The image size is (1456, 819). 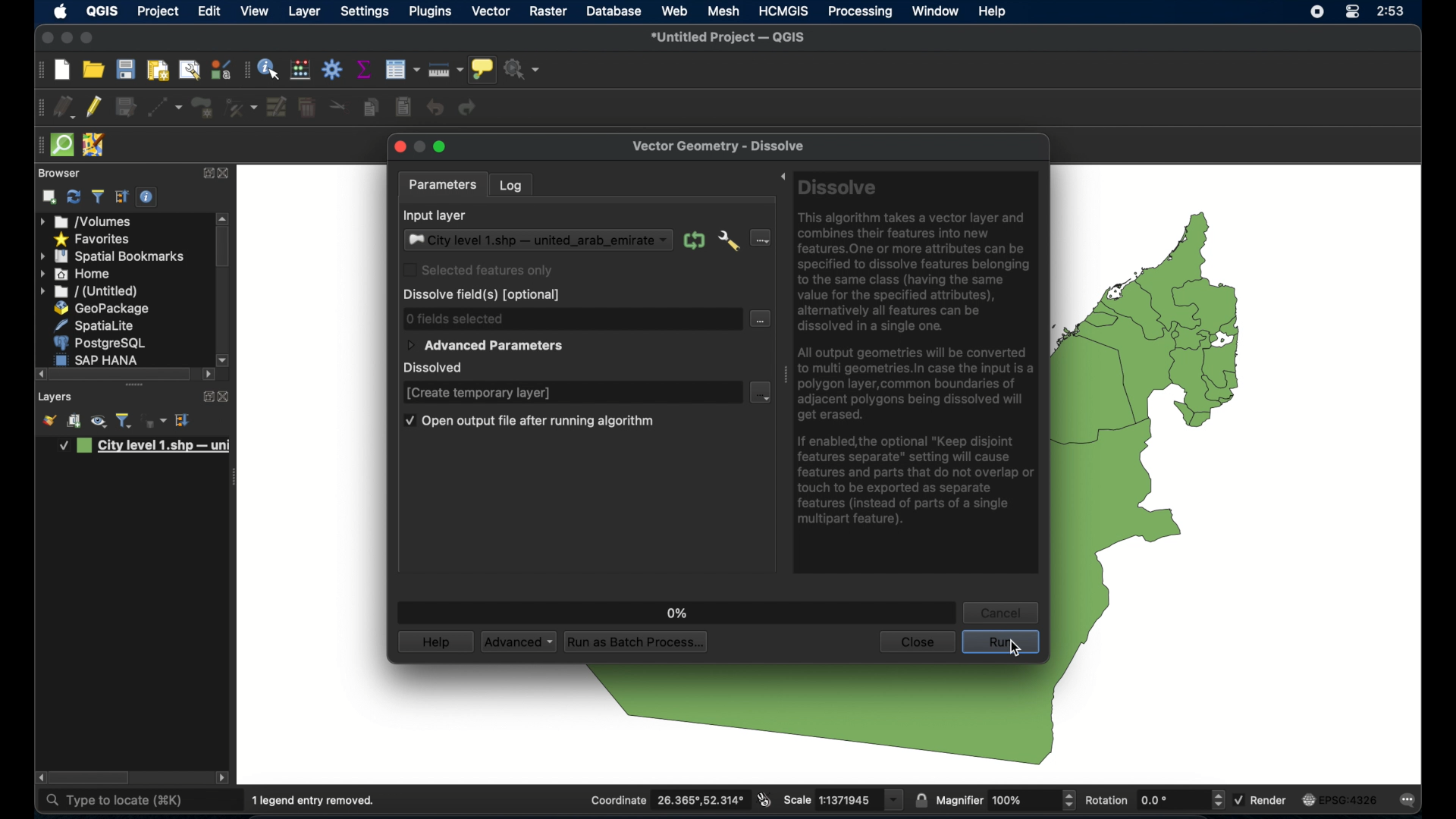 I want to click on quick osm, so click(x=61, y=145).